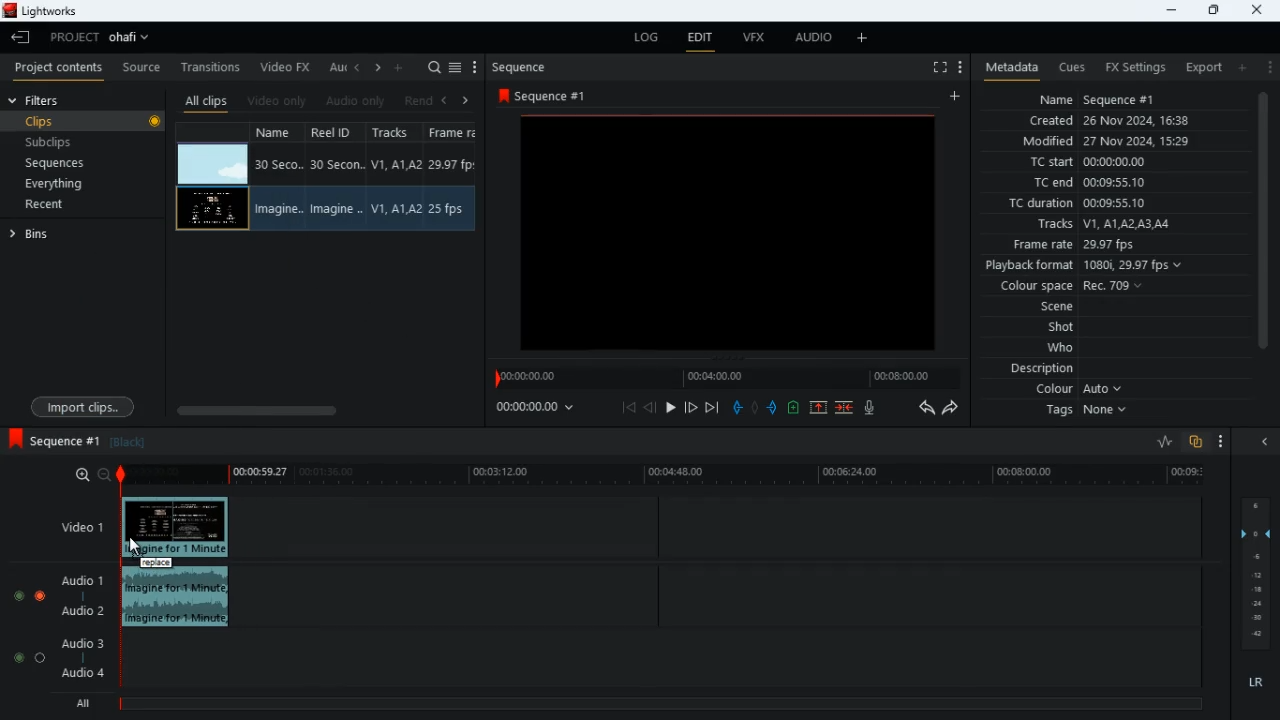 The image size is (1280, 720). Describe the element at coordinates (818, 409) in the screenshot. I see `up` at that location.